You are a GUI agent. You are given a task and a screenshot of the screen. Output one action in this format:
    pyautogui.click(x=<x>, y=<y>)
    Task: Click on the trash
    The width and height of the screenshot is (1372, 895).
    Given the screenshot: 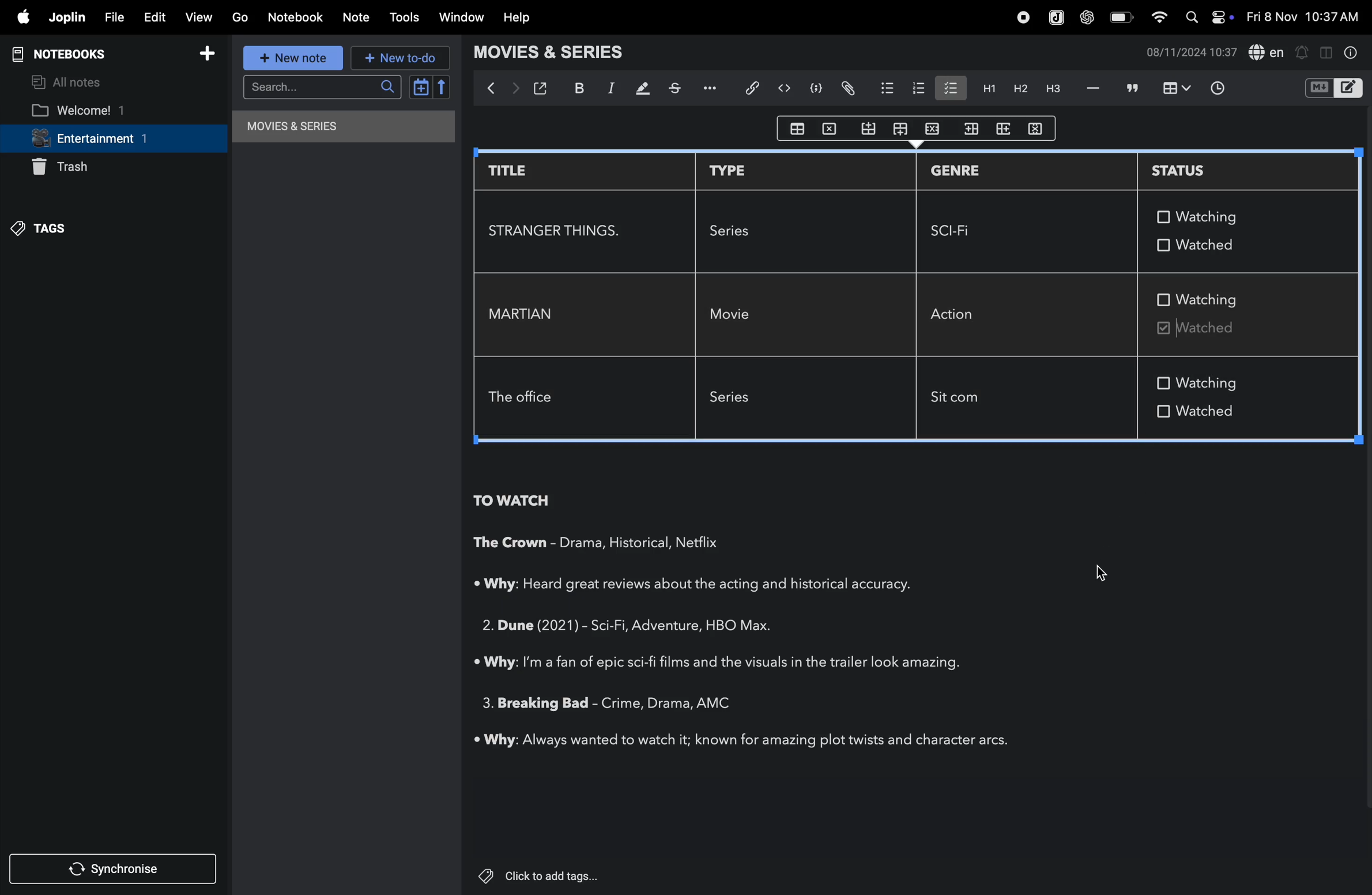 What is the action you would take?
    pyautogui.click(x=82, y=169)
    